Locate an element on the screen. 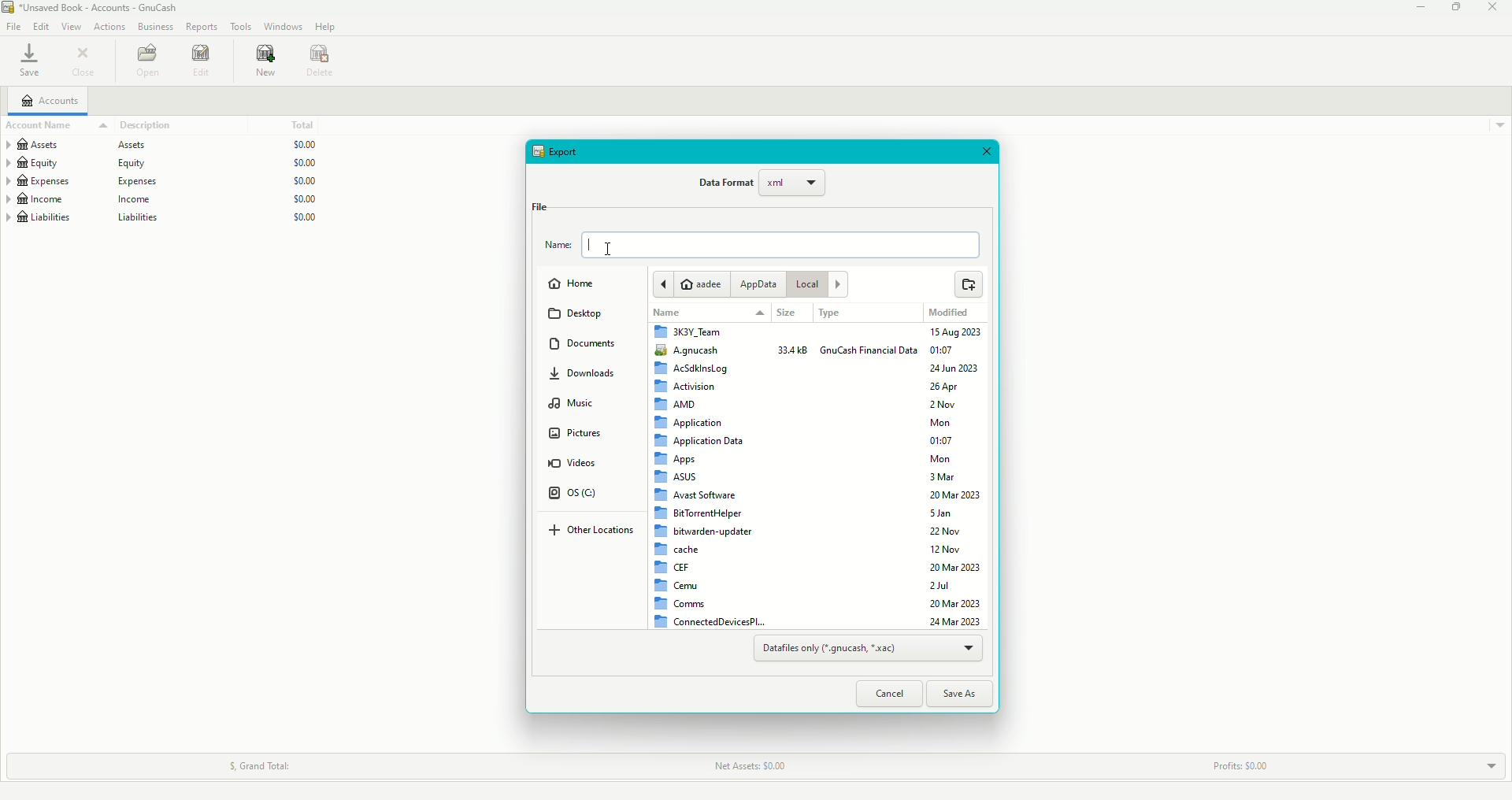 Image resolution: width=1512 pixels, height=800 pixels. Folders is located at coordinates (710, 476).